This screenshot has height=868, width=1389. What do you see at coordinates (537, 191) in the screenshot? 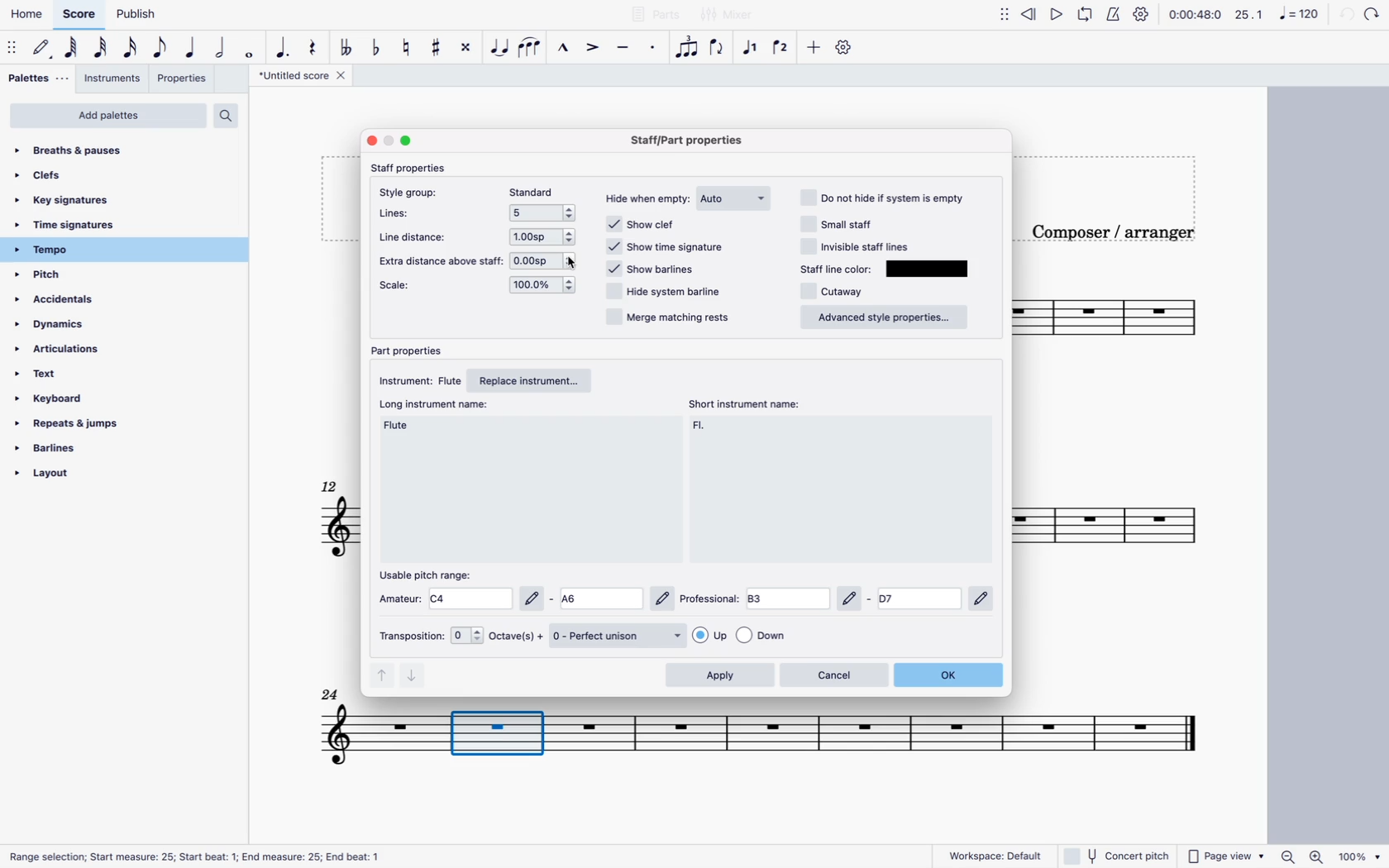
I see `standard` at bounding box center [537, 191].